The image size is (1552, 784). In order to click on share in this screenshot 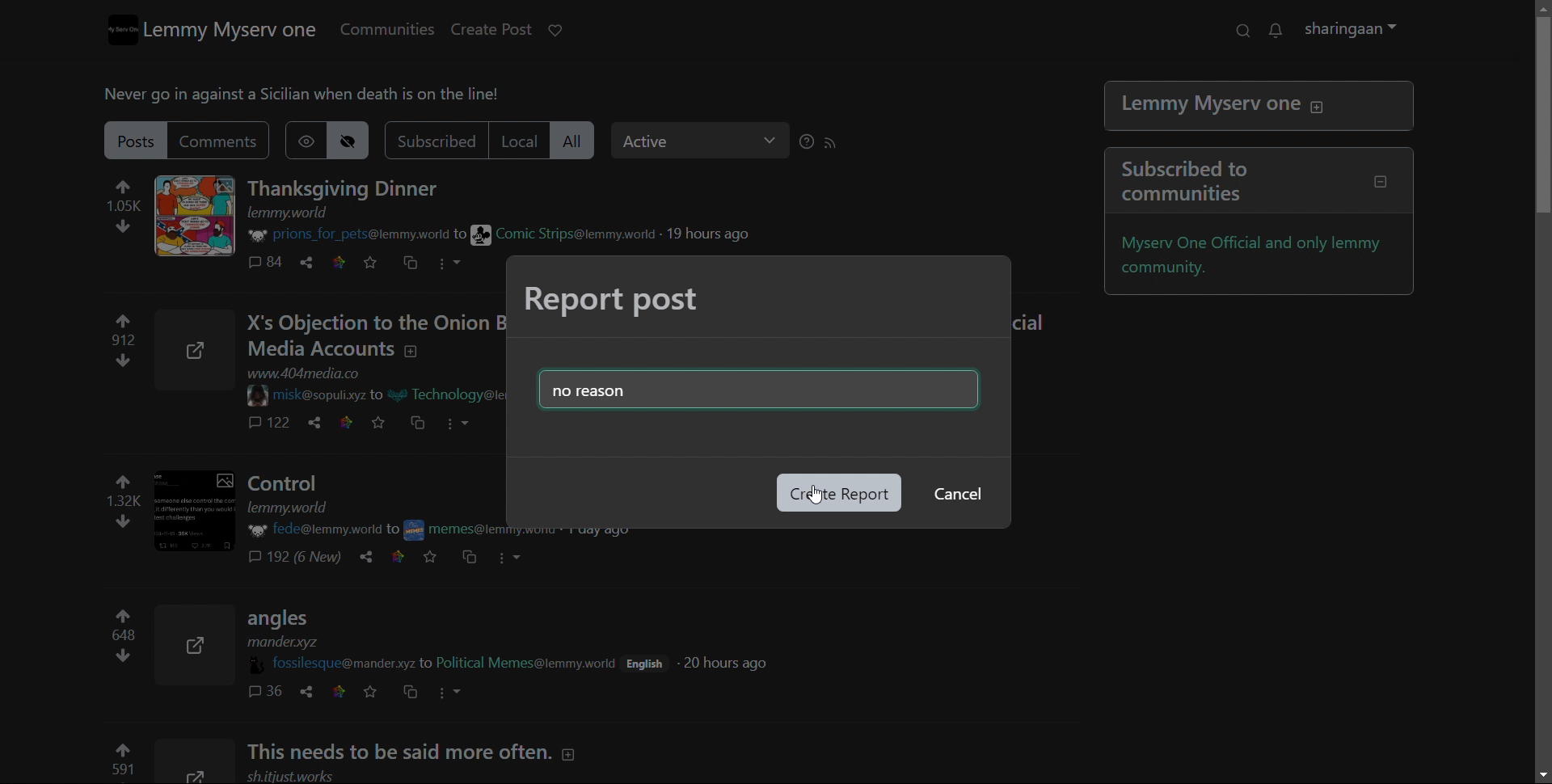, I will do `click(310, 691)`.